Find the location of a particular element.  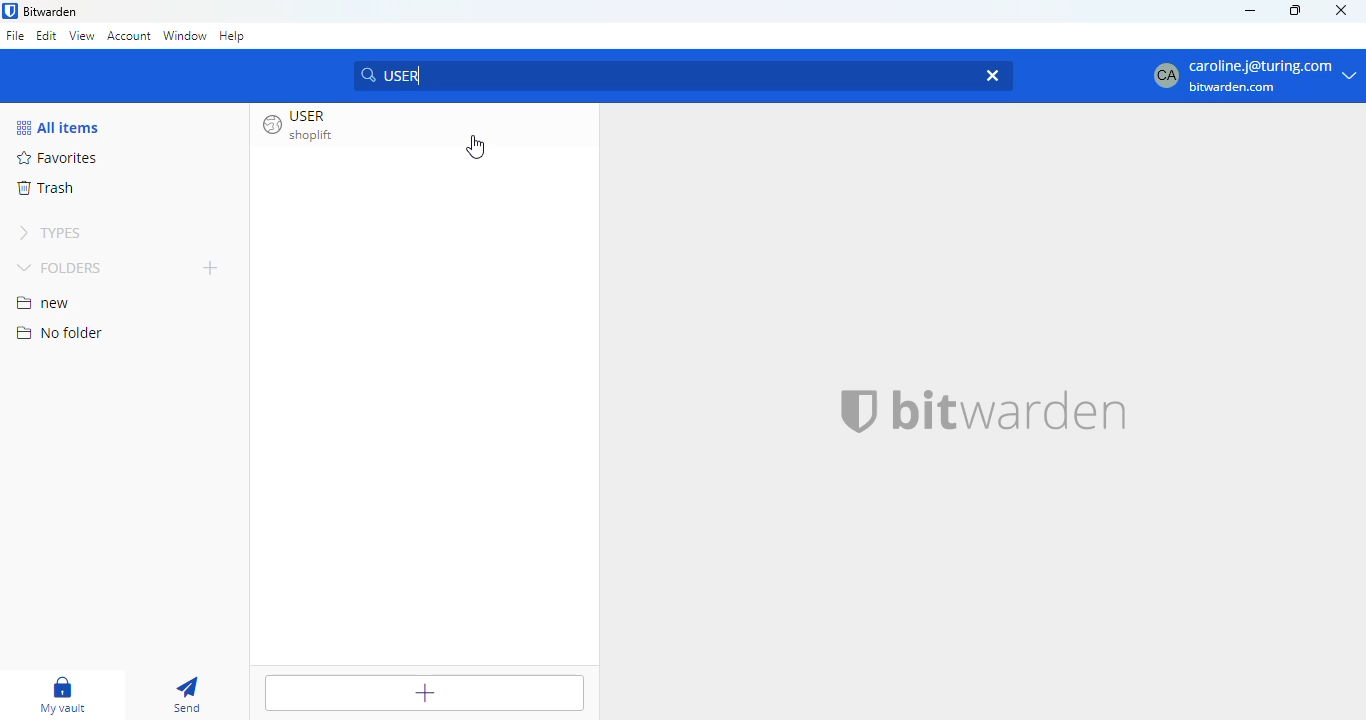

close is located at coordinates (989, 73).